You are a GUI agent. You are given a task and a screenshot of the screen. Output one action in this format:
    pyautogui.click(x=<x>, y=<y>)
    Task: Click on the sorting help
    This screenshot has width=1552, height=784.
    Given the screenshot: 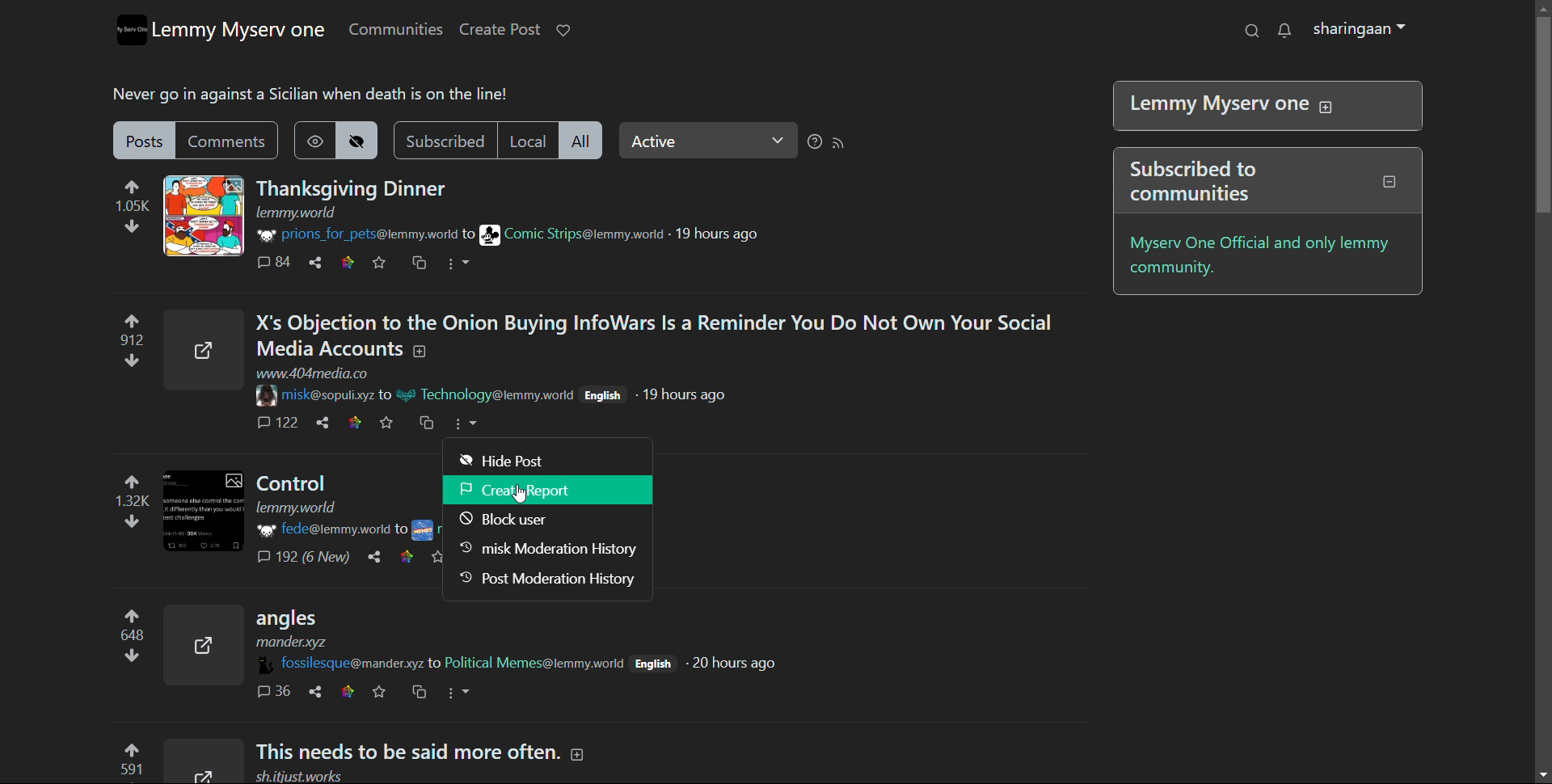 What is the action you would take?
    pyautogui.click(x=815, y=142)
    